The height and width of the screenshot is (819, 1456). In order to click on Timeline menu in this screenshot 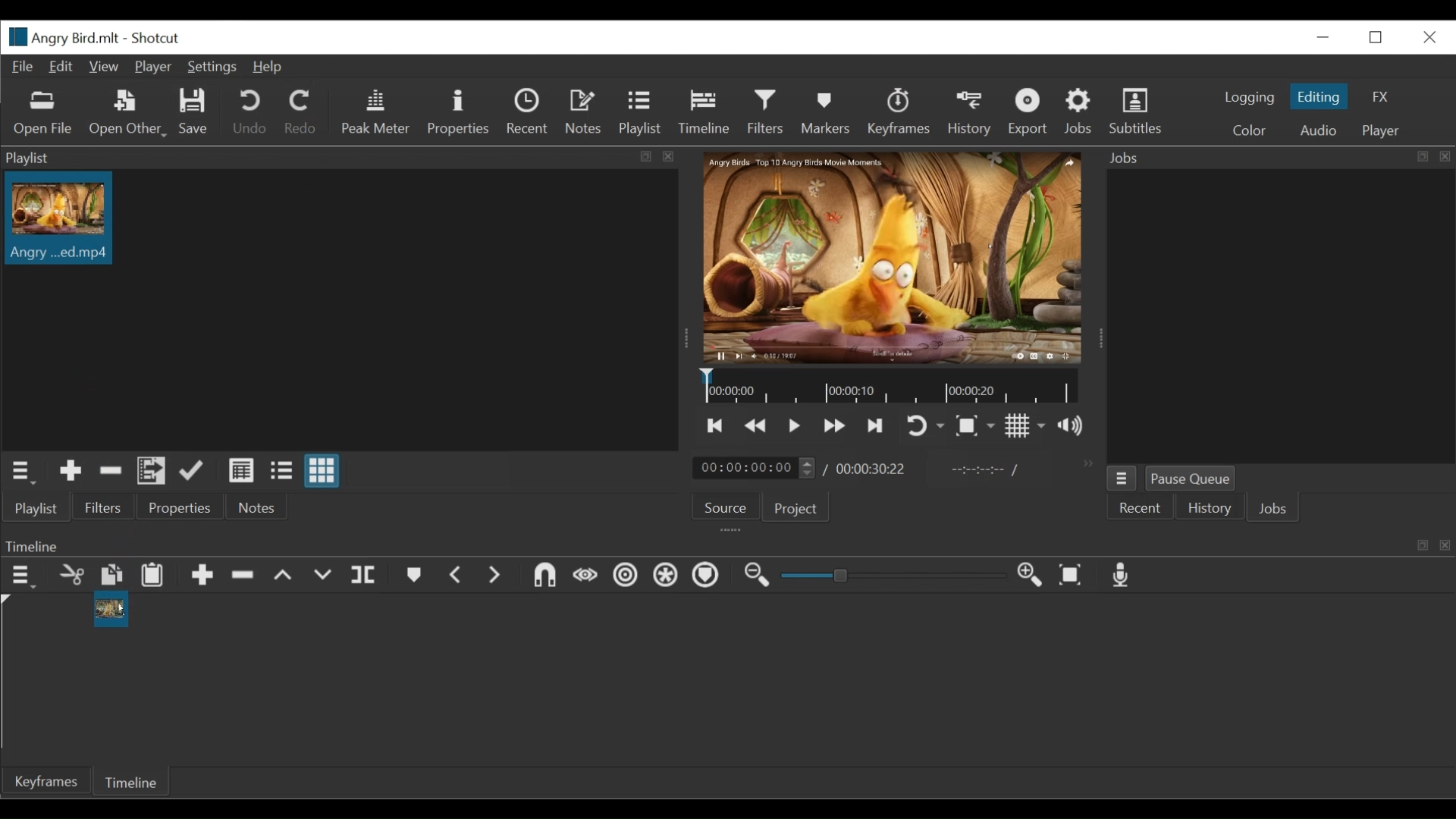, I will do `click(21, 577)`.